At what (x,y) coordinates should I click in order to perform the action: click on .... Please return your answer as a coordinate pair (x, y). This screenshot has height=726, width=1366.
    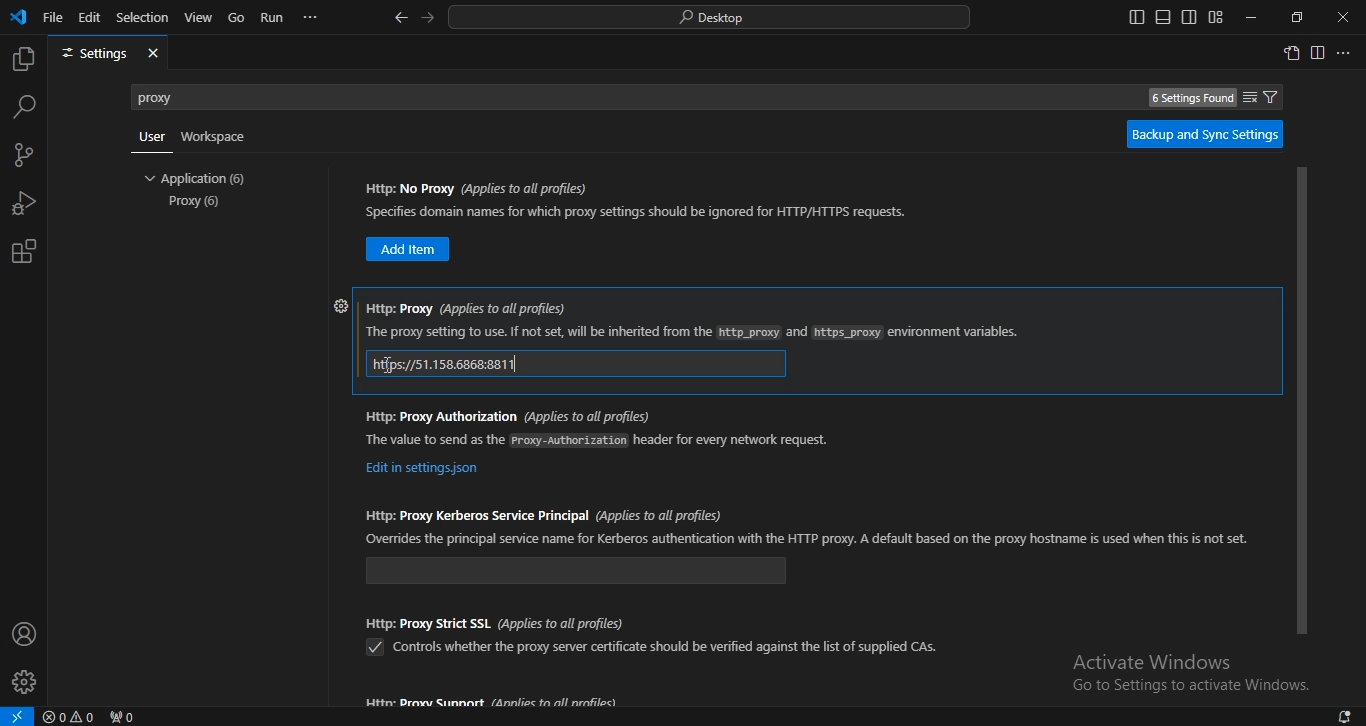
    Looking at the image, I should click on (313, 18).